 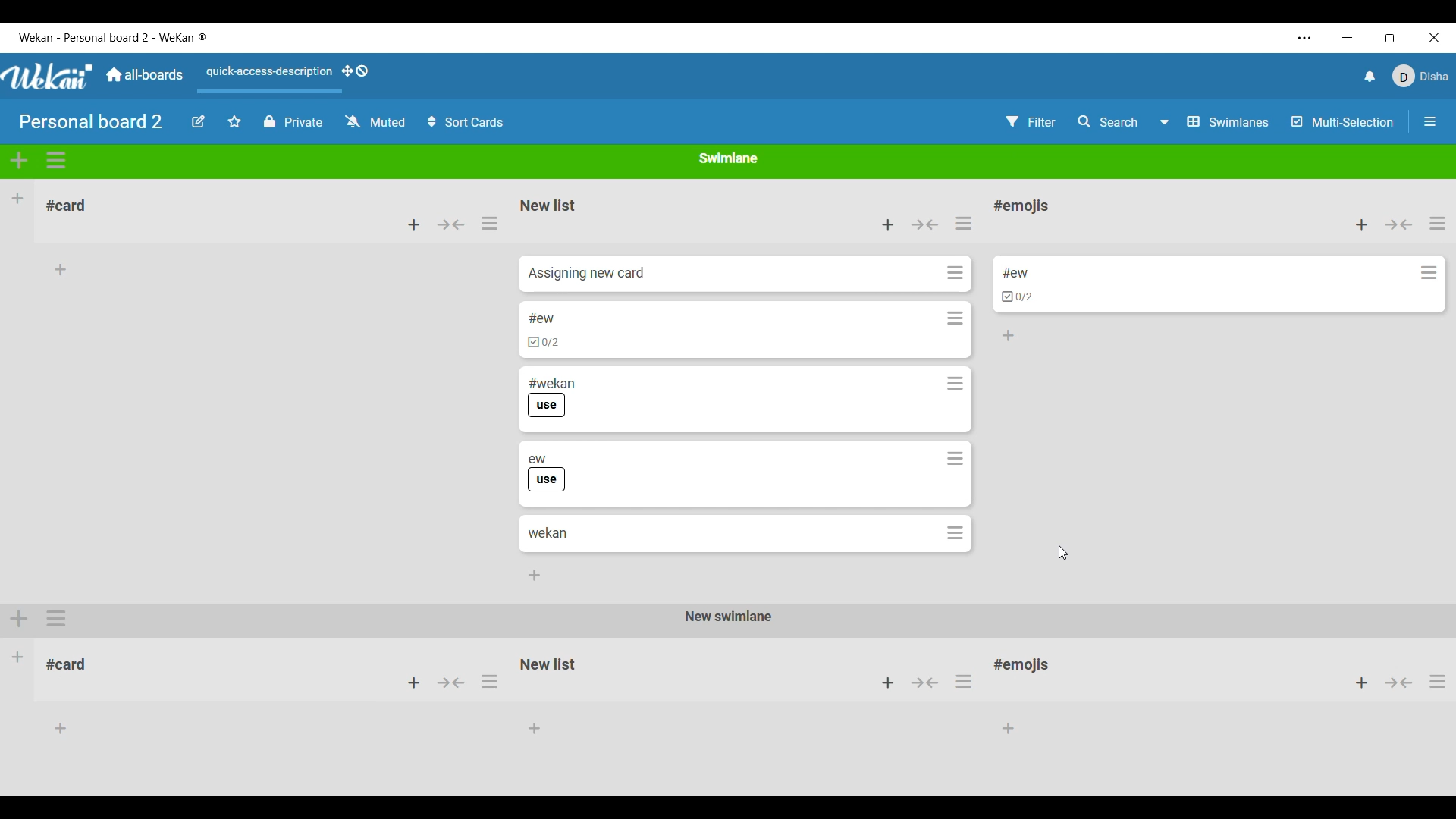 What do you see at coordinates (1430, 121) in the screenshot?
I see `Open/Close sidebar` at bounding box center [1430, 121].